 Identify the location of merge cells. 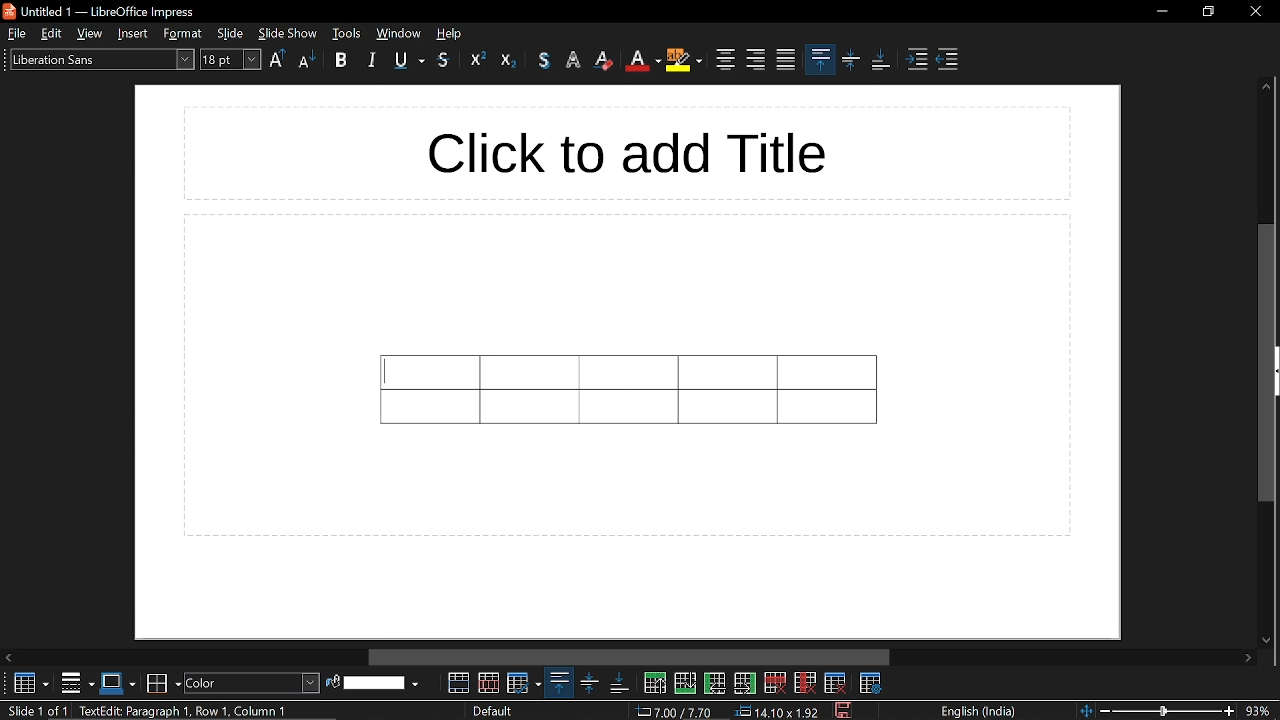
(460, 683).